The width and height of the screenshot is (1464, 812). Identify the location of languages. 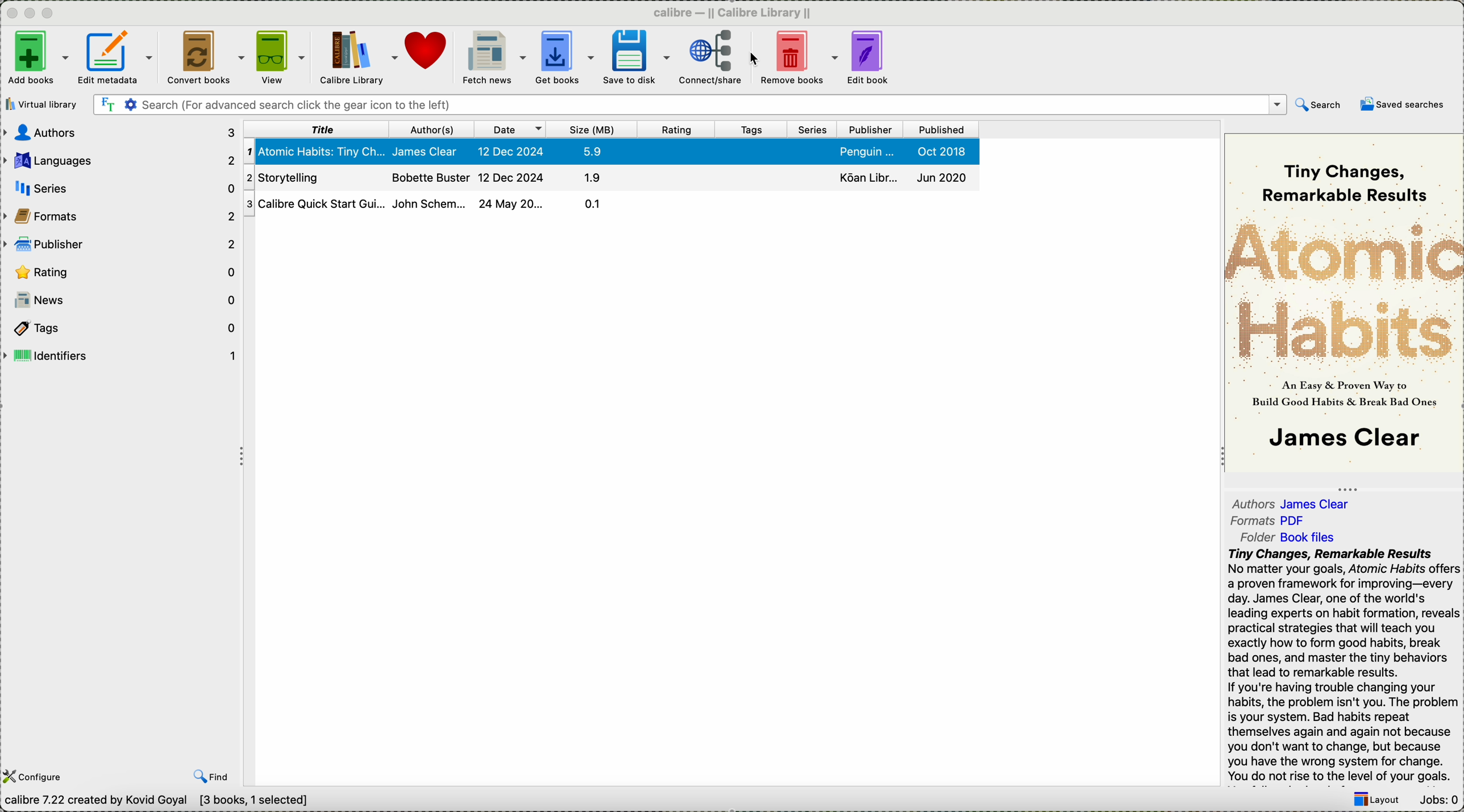
(120, 158).